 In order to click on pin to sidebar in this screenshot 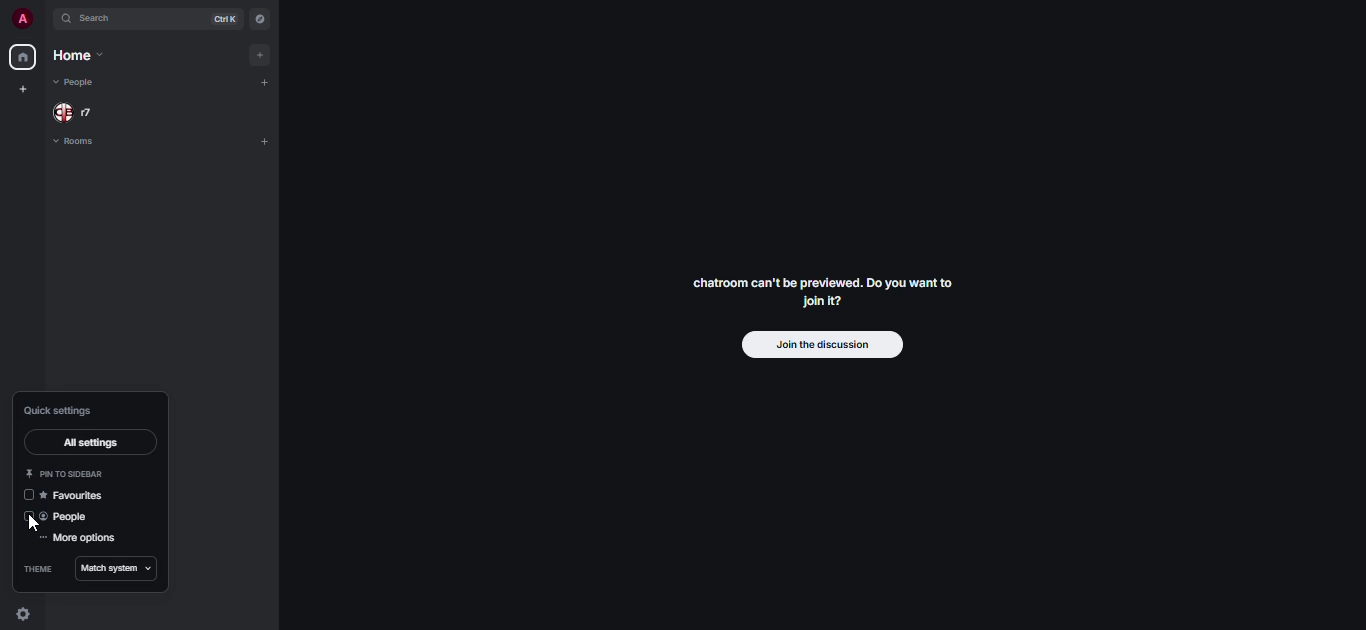, I will do `click(68, 473)`.